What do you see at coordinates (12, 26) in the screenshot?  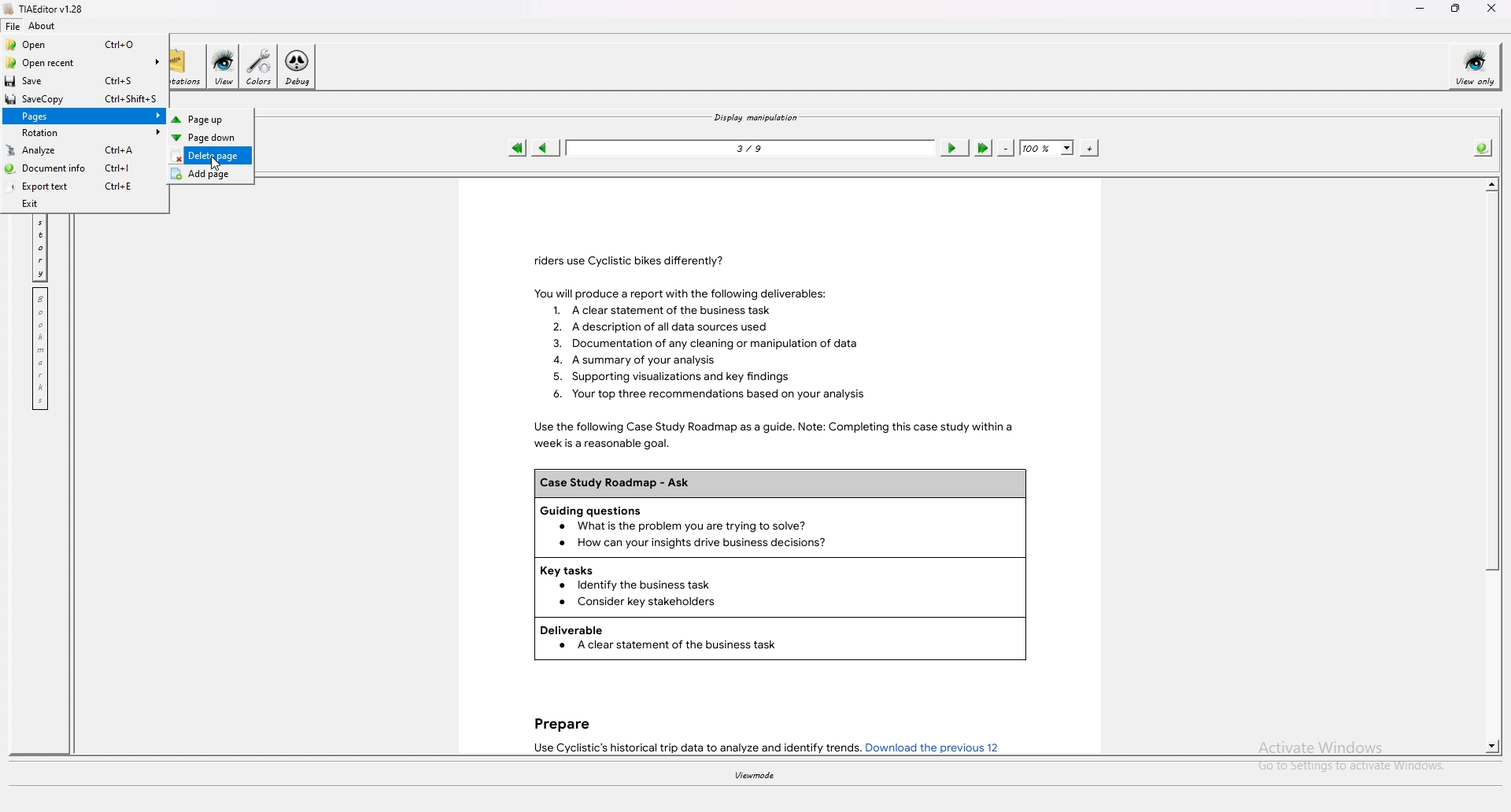 I see `file` at bounding box center [12, 26].